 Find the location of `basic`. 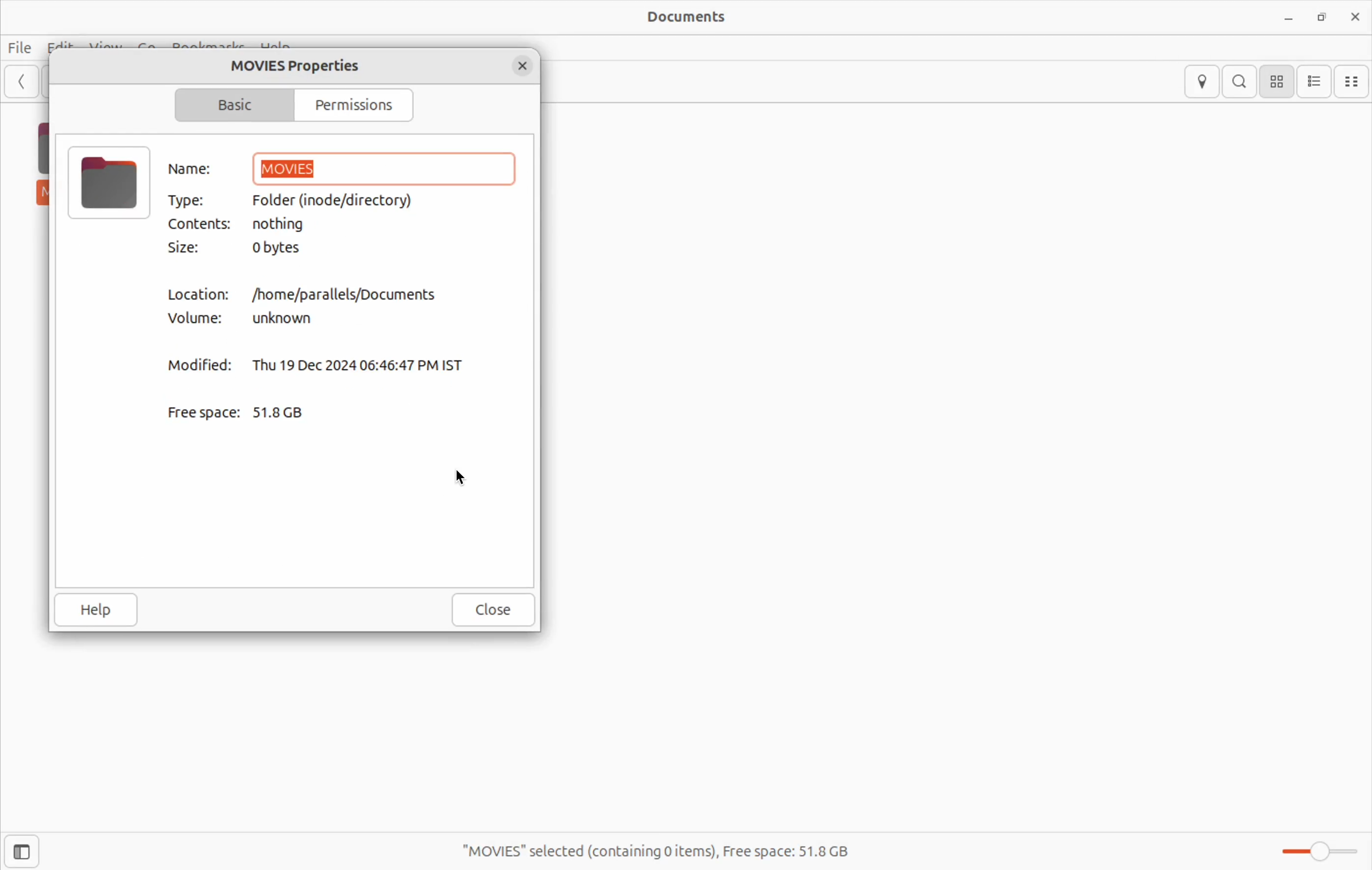

basic is located at coordinates (228, 104).